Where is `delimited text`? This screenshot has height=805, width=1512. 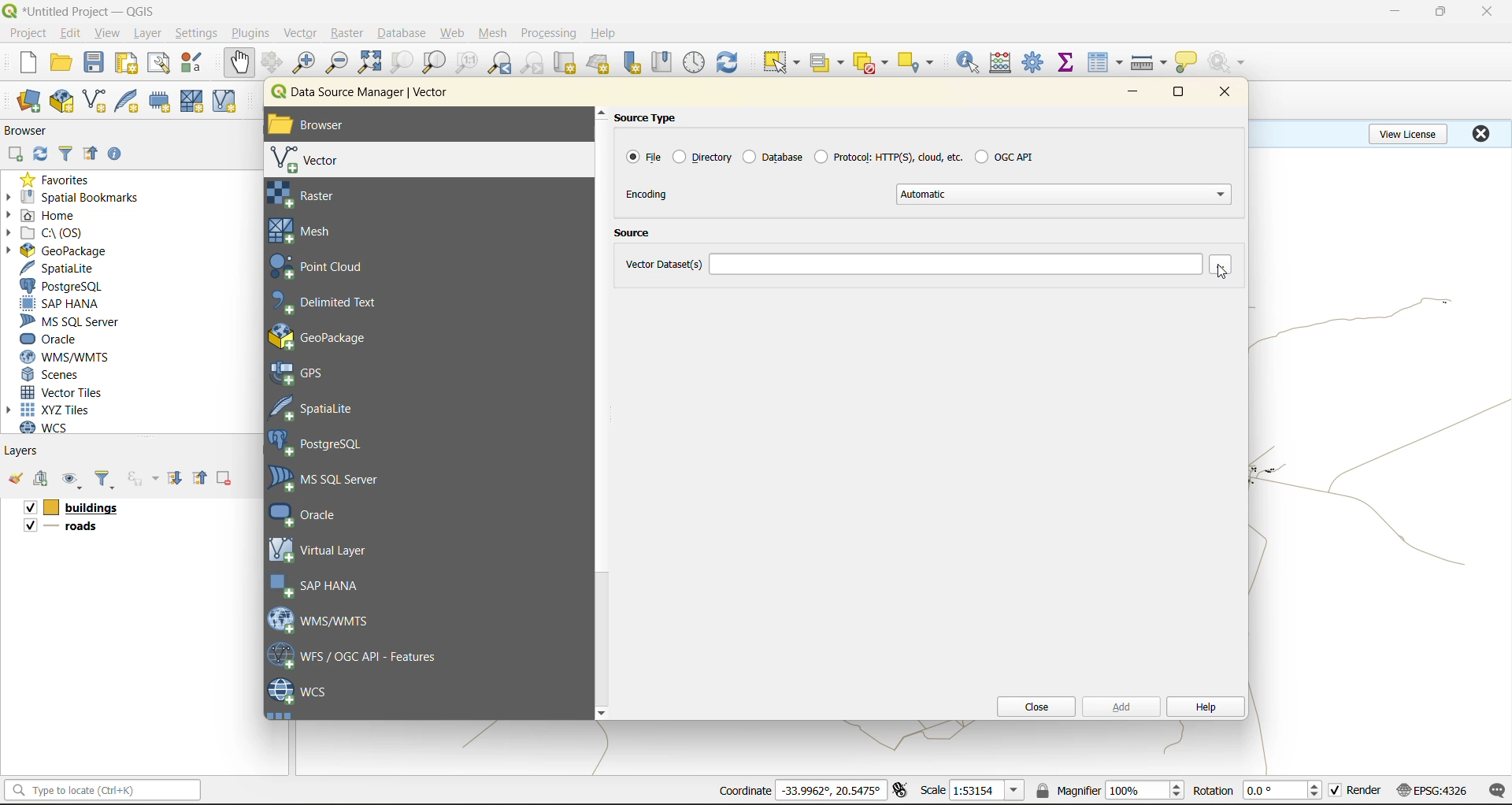
delimited text is located at coordinates (333, 302).